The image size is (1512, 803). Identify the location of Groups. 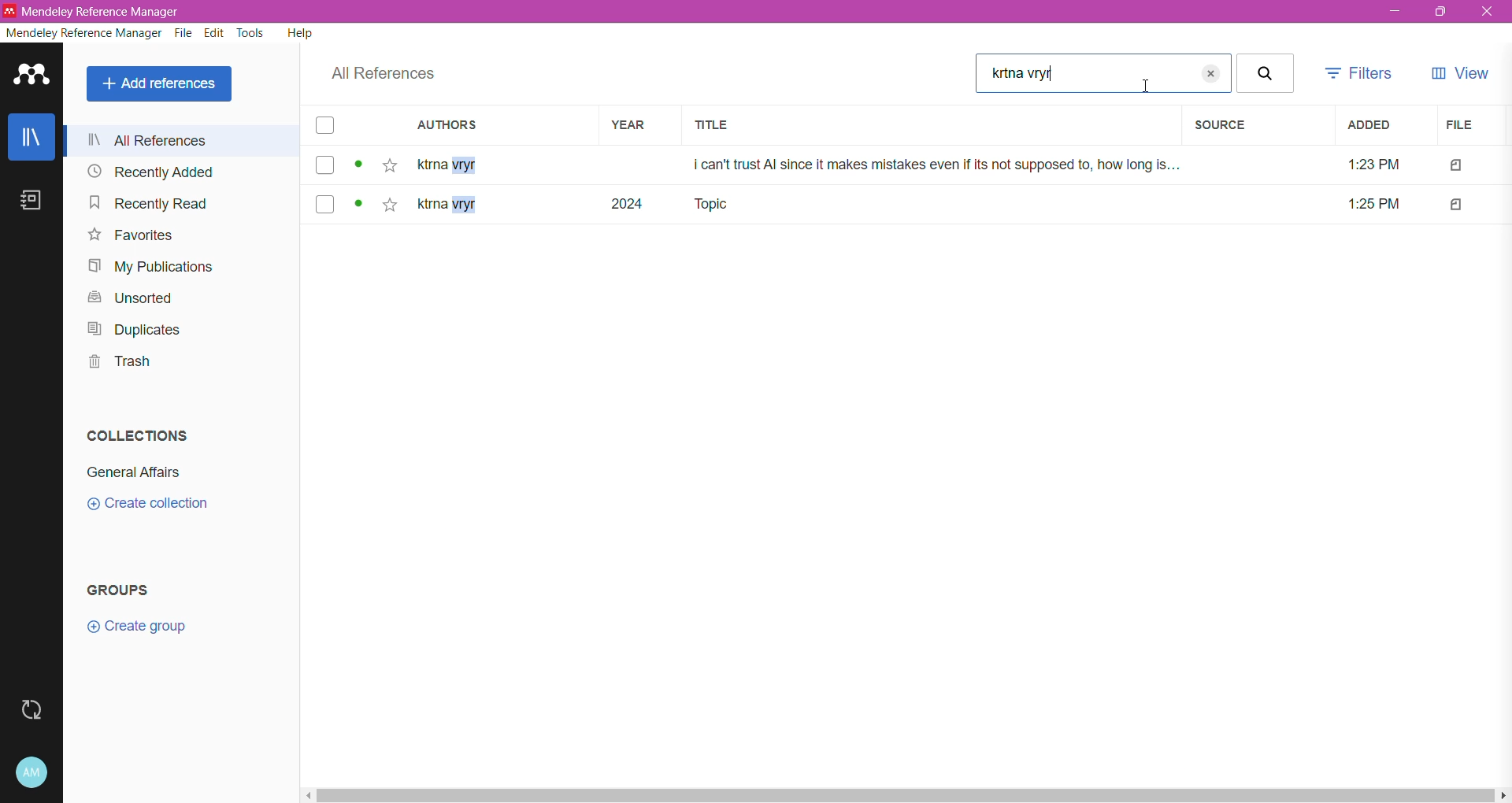
(128, 590).